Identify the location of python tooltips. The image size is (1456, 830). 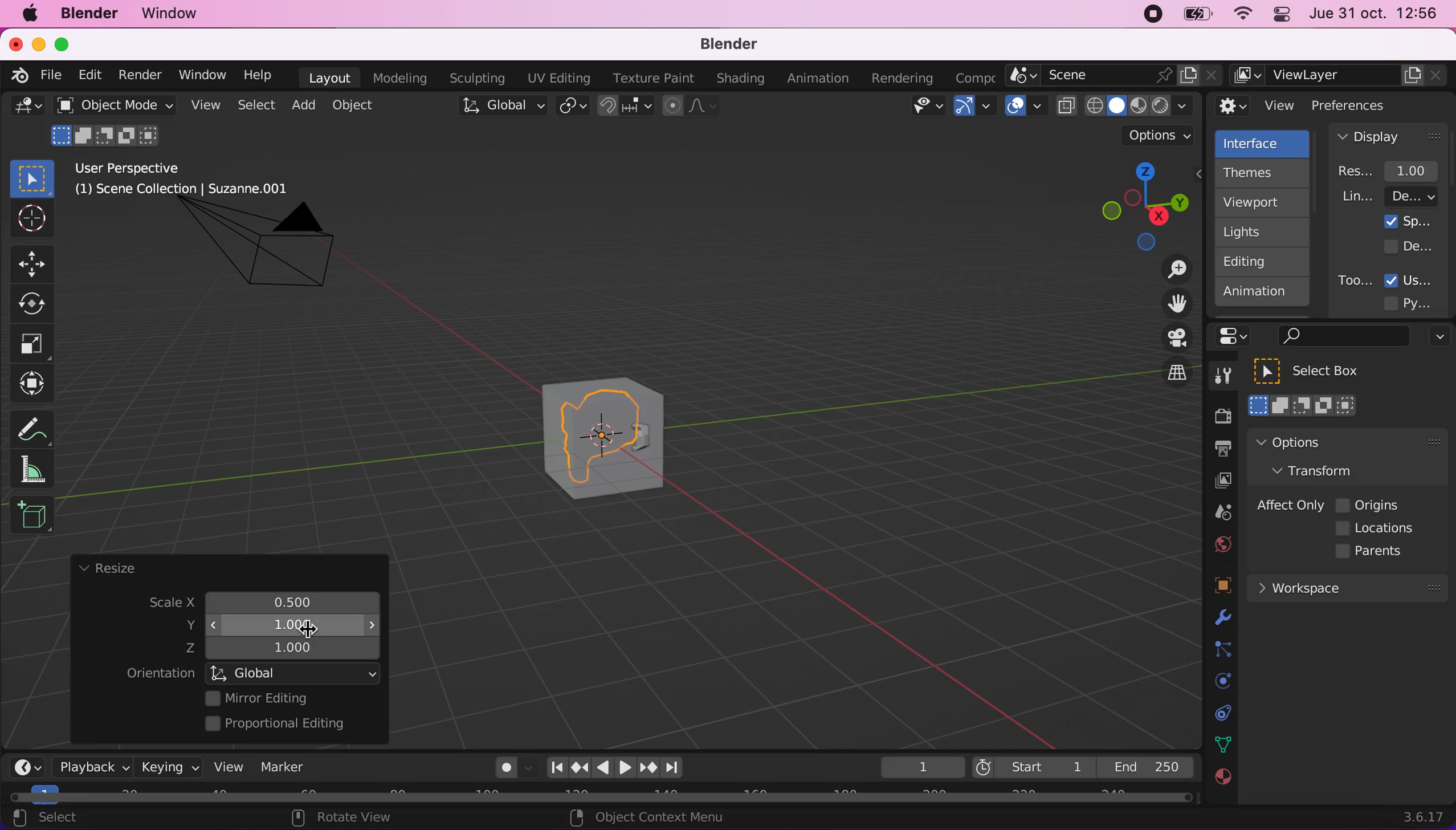
(1421, 302).